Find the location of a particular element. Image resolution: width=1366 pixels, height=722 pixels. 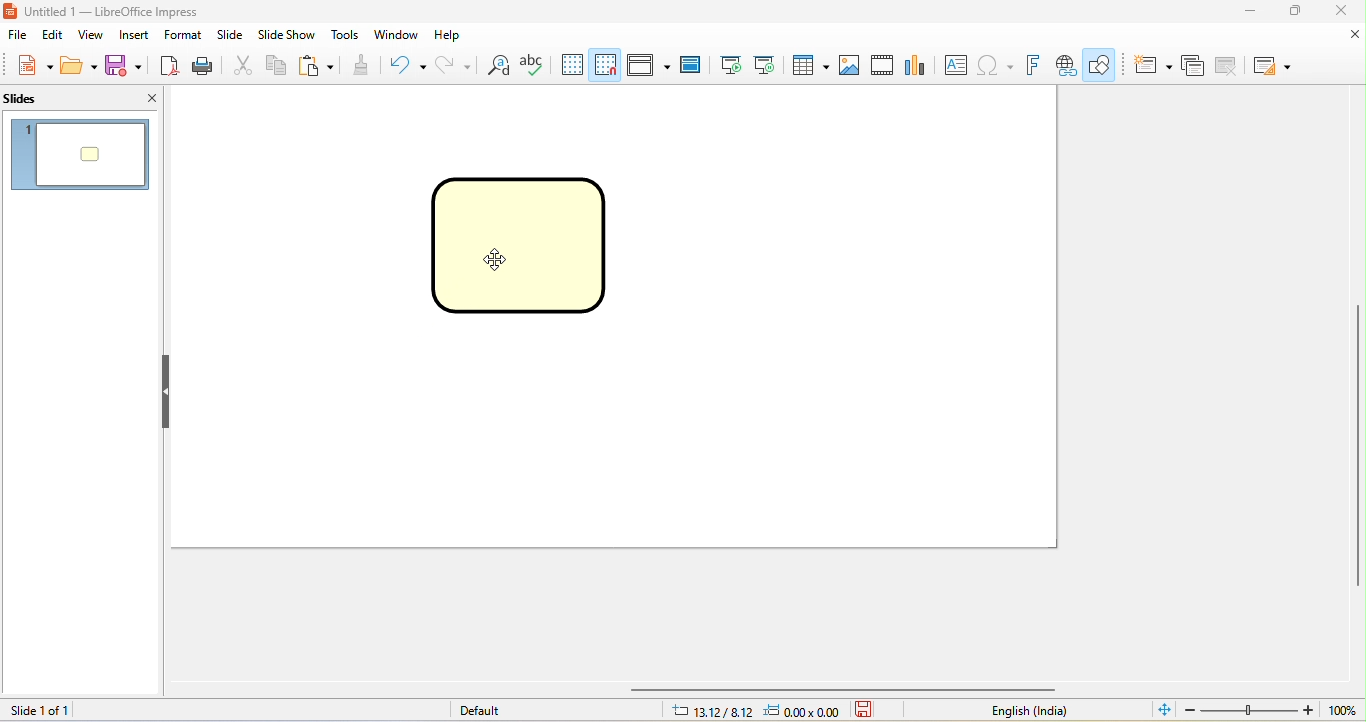

find and replace is located at coordinates (498, 65).